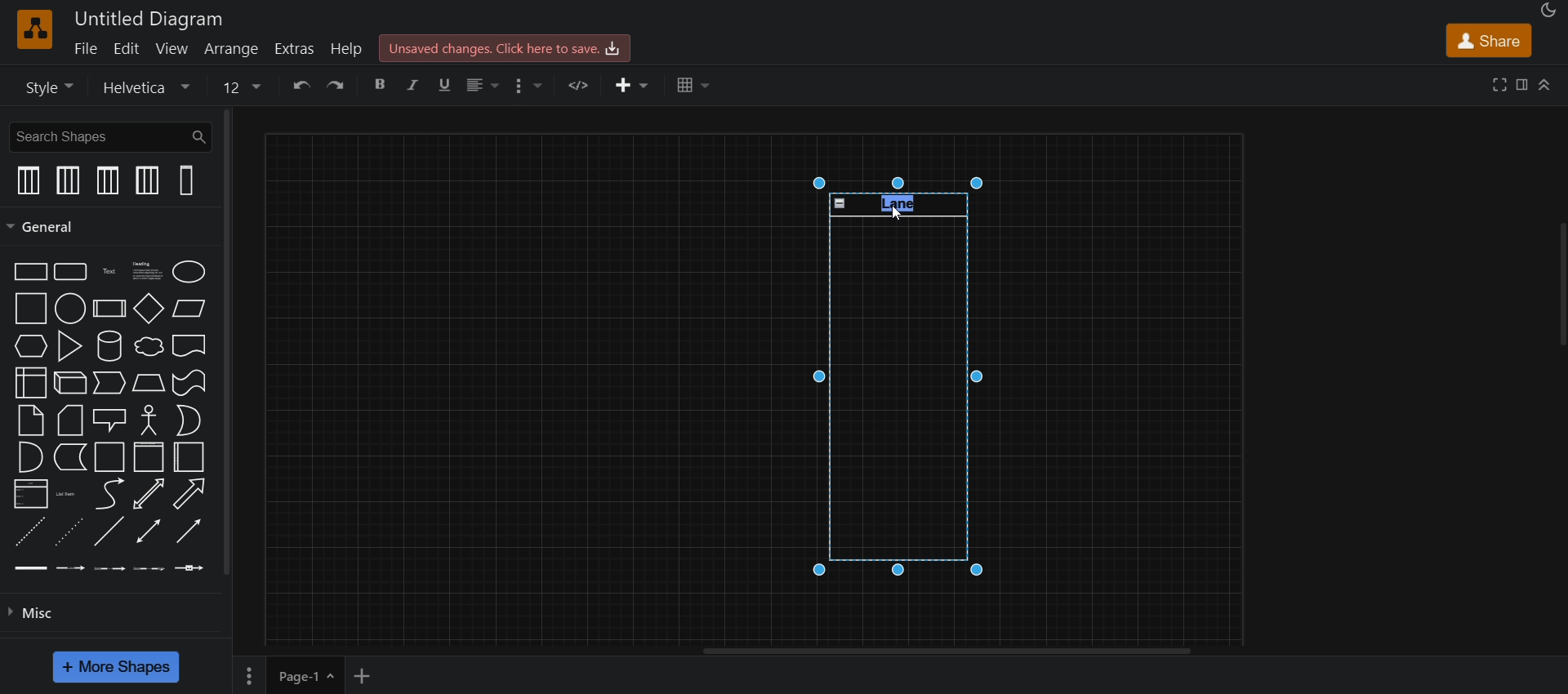 The height and width of the screenshot is (694, 1568). What do you see at coordinates (67, 385) in the screenshot?
I see `cube` at bounding box center [67, 385].